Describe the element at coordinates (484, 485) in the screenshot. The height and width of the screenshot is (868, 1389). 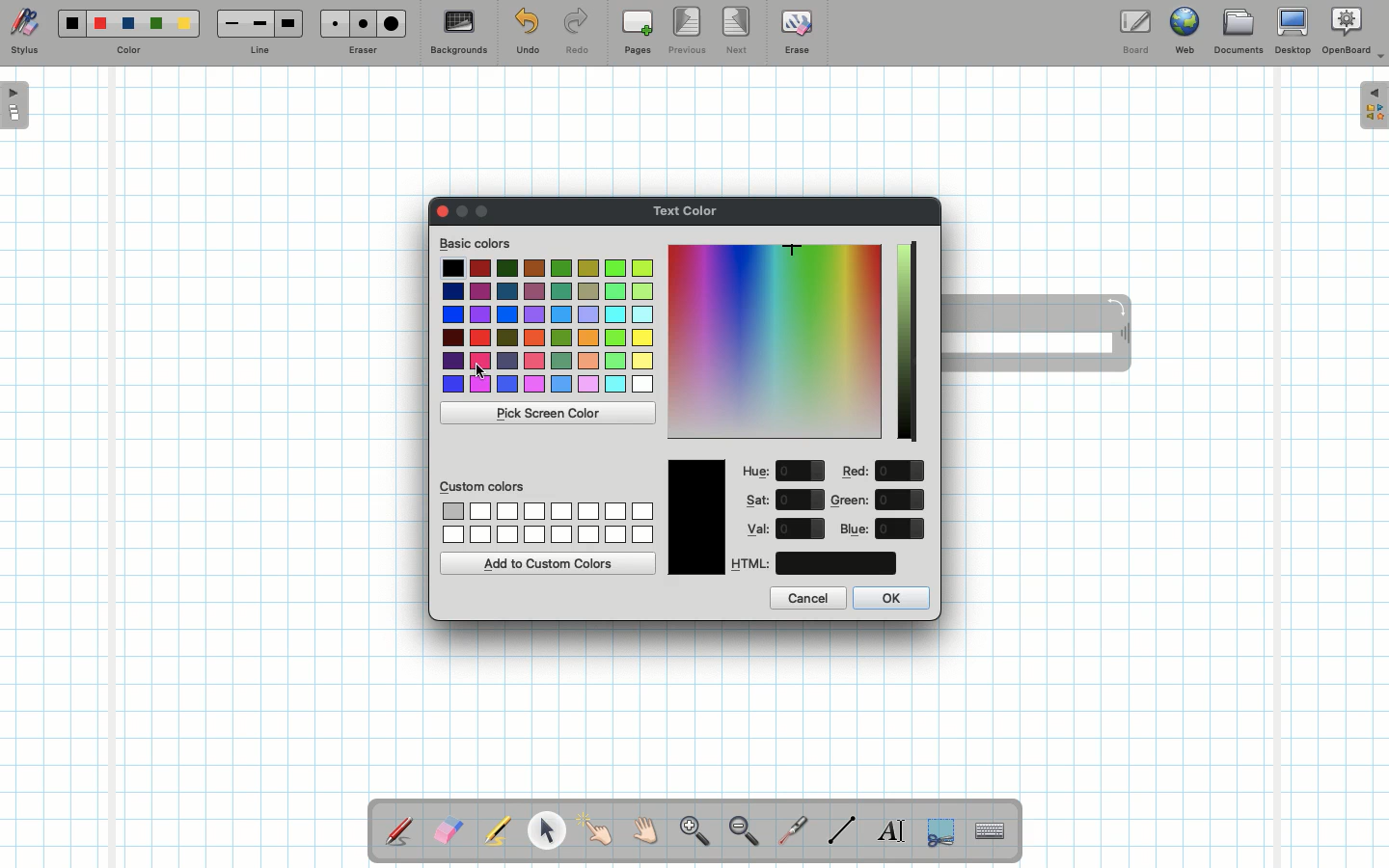
I see `Custom colors` at that location.